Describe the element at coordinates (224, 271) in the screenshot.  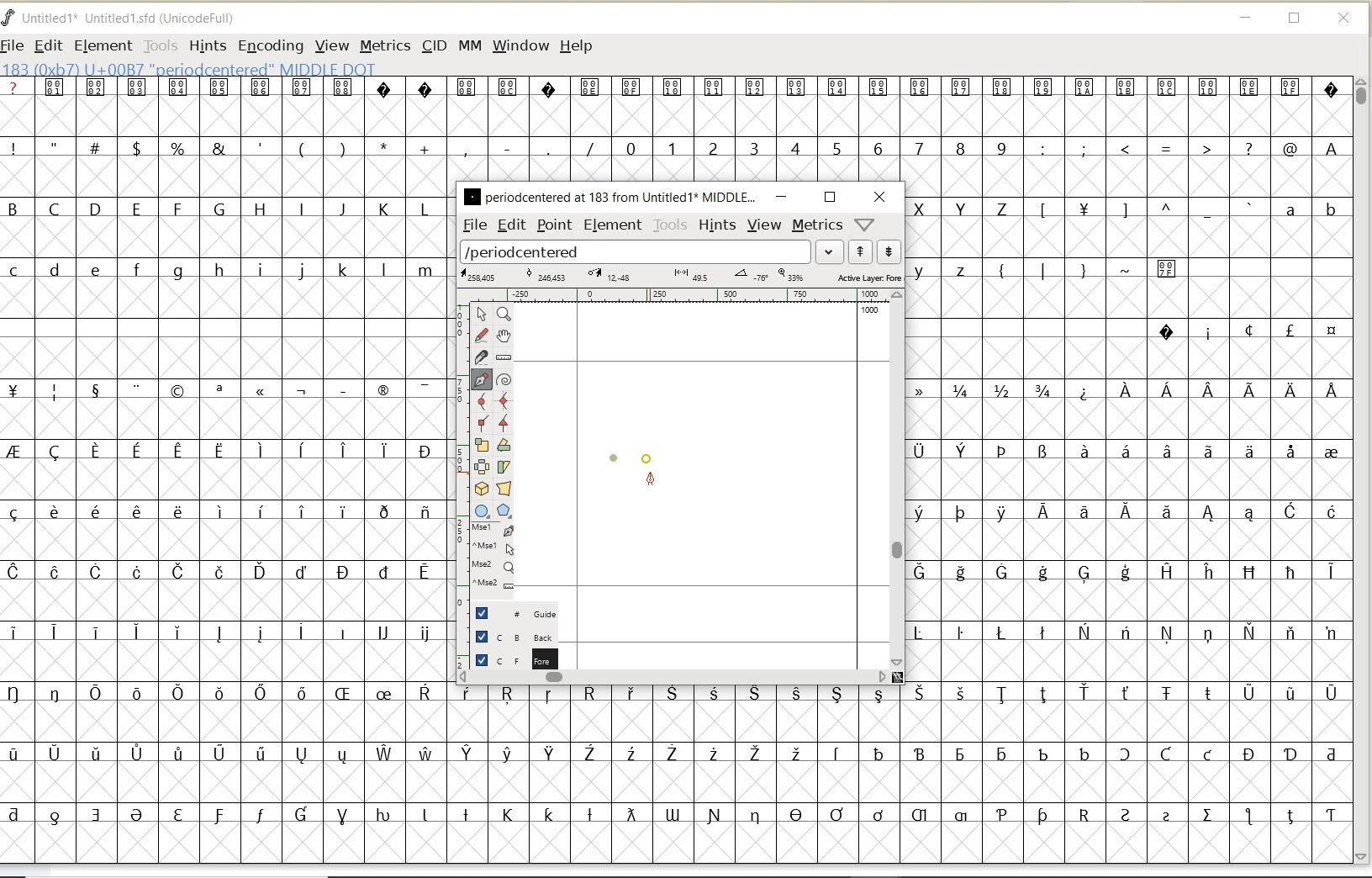
I see `lowercase letters` at that location.